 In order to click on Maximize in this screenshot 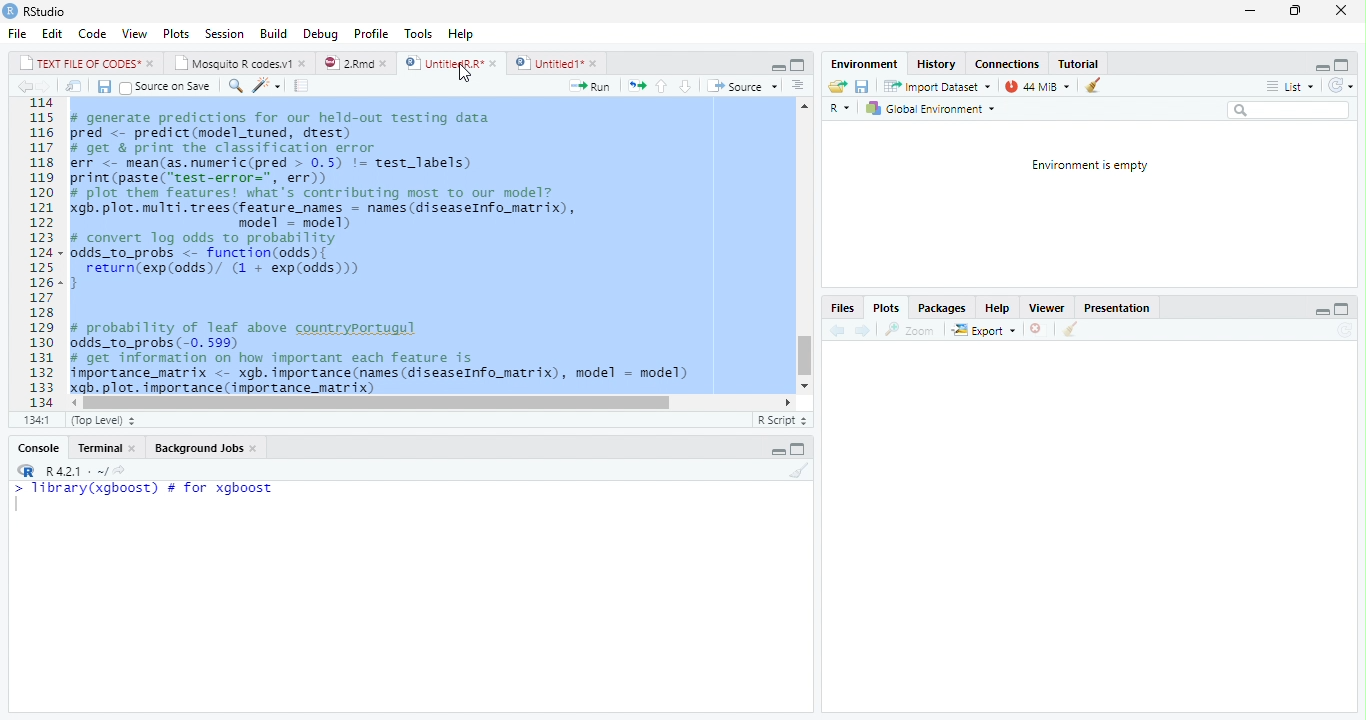, I will do `click(1345, 63)`.